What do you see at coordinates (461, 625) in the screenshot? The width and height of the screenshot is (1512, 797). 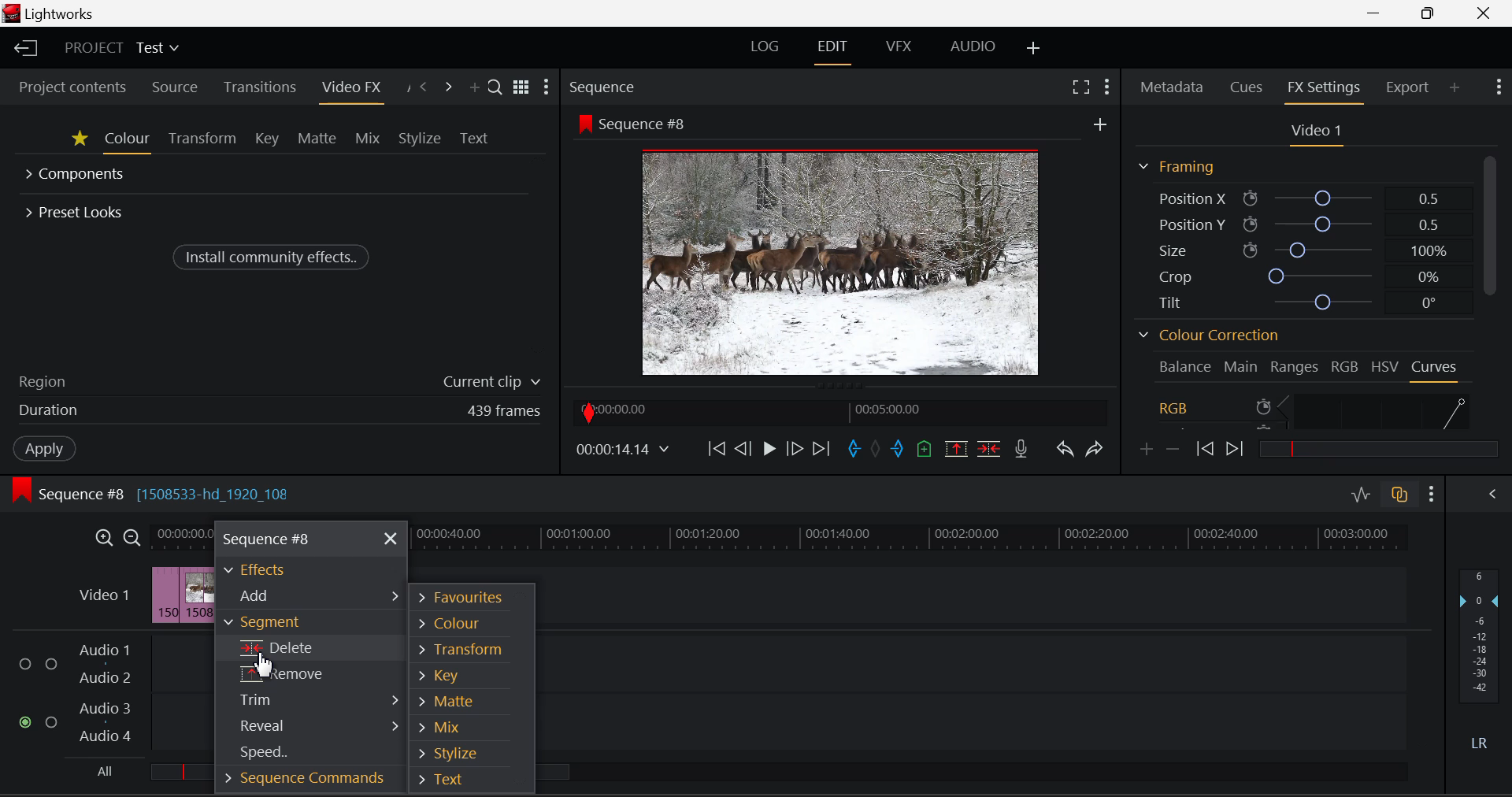 I see `Colour` at bounding box center [461, 625].